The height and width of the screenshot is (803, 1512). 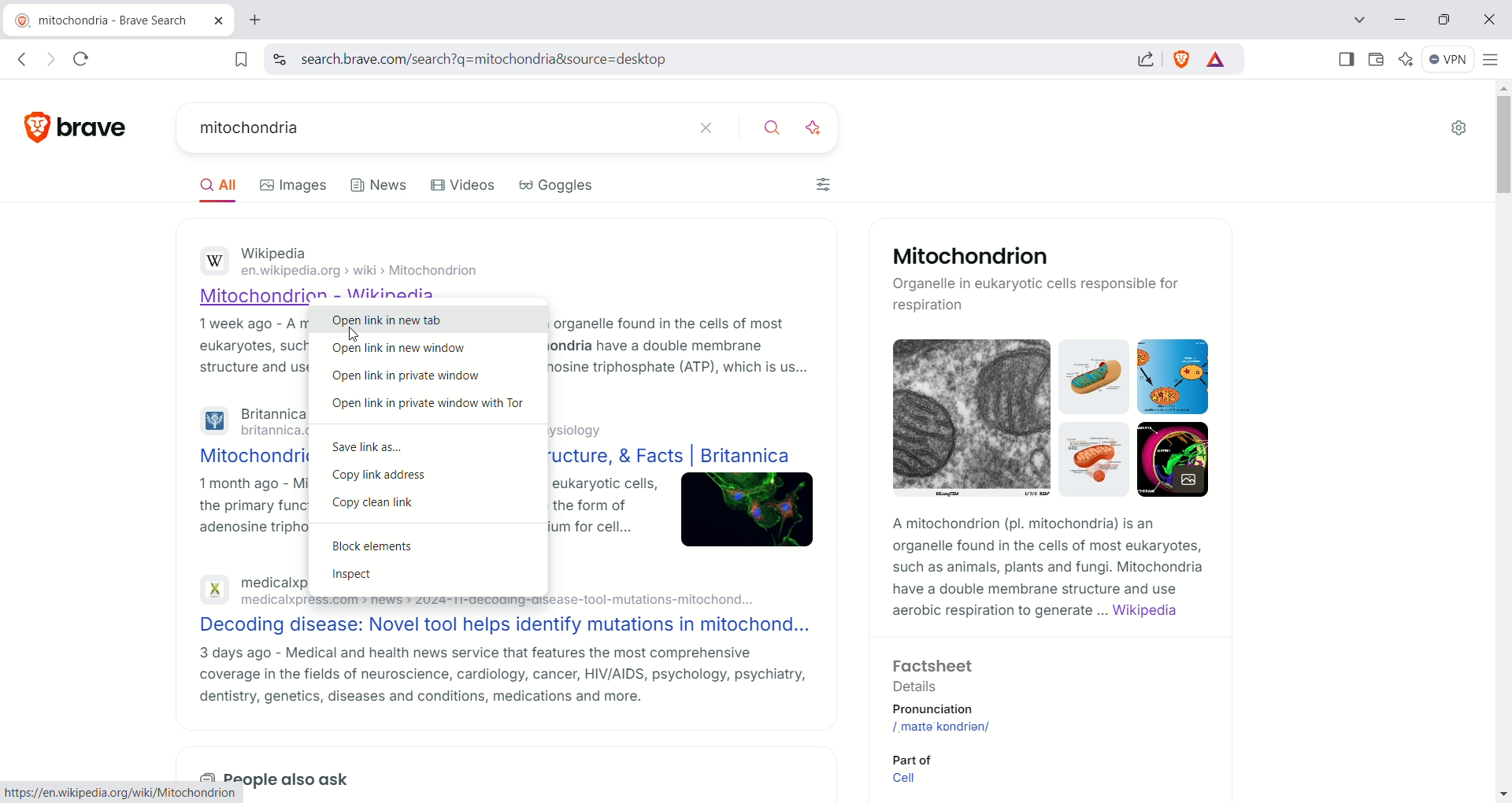 What do you see at coordinates (930, 708) in the screenshot?
I see `Pronunciation` at bounding box center [930, 708].